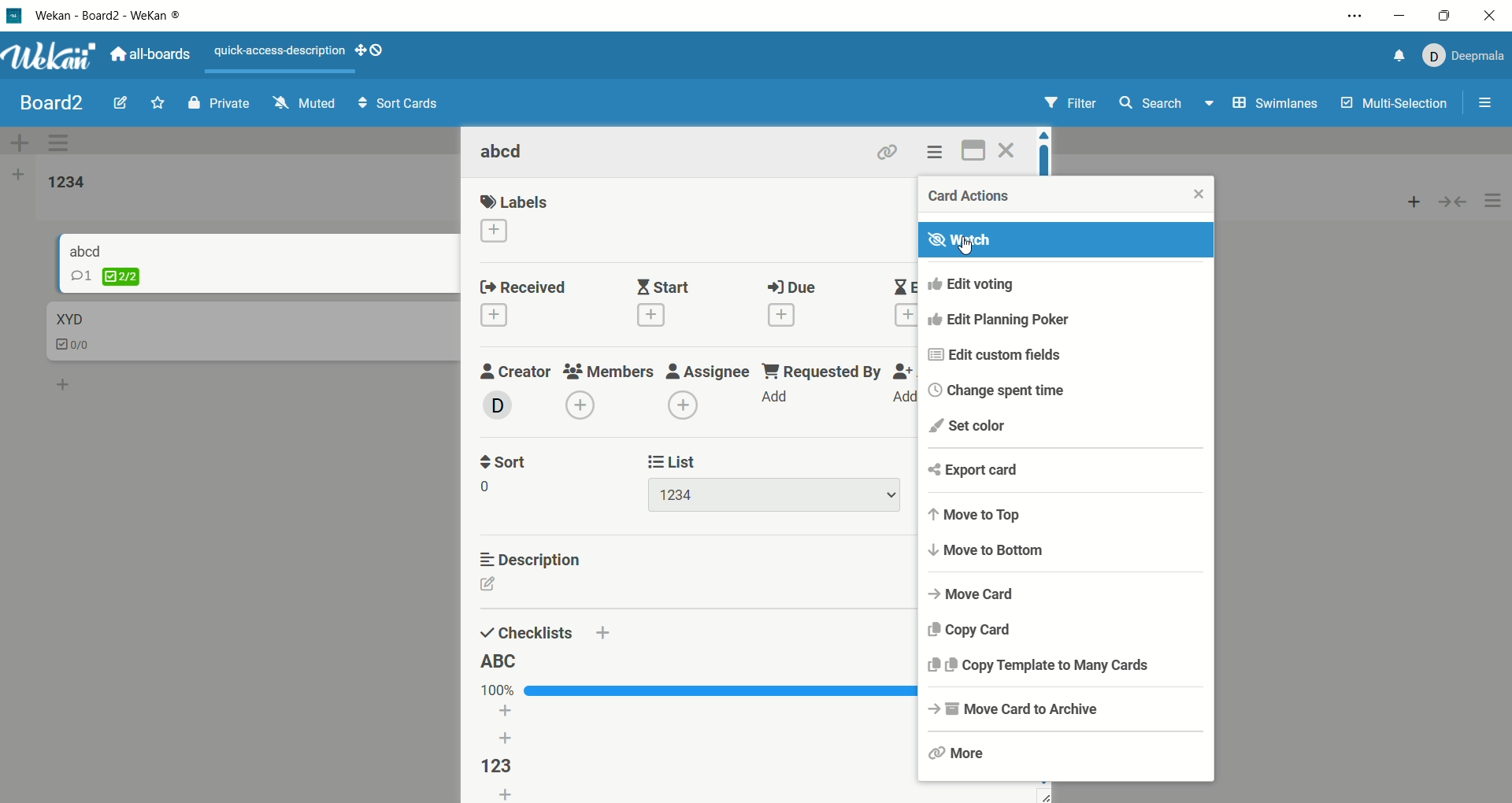  Describe the element at coordinates (62, 181) in the screenshot. I see `list title` at that location.